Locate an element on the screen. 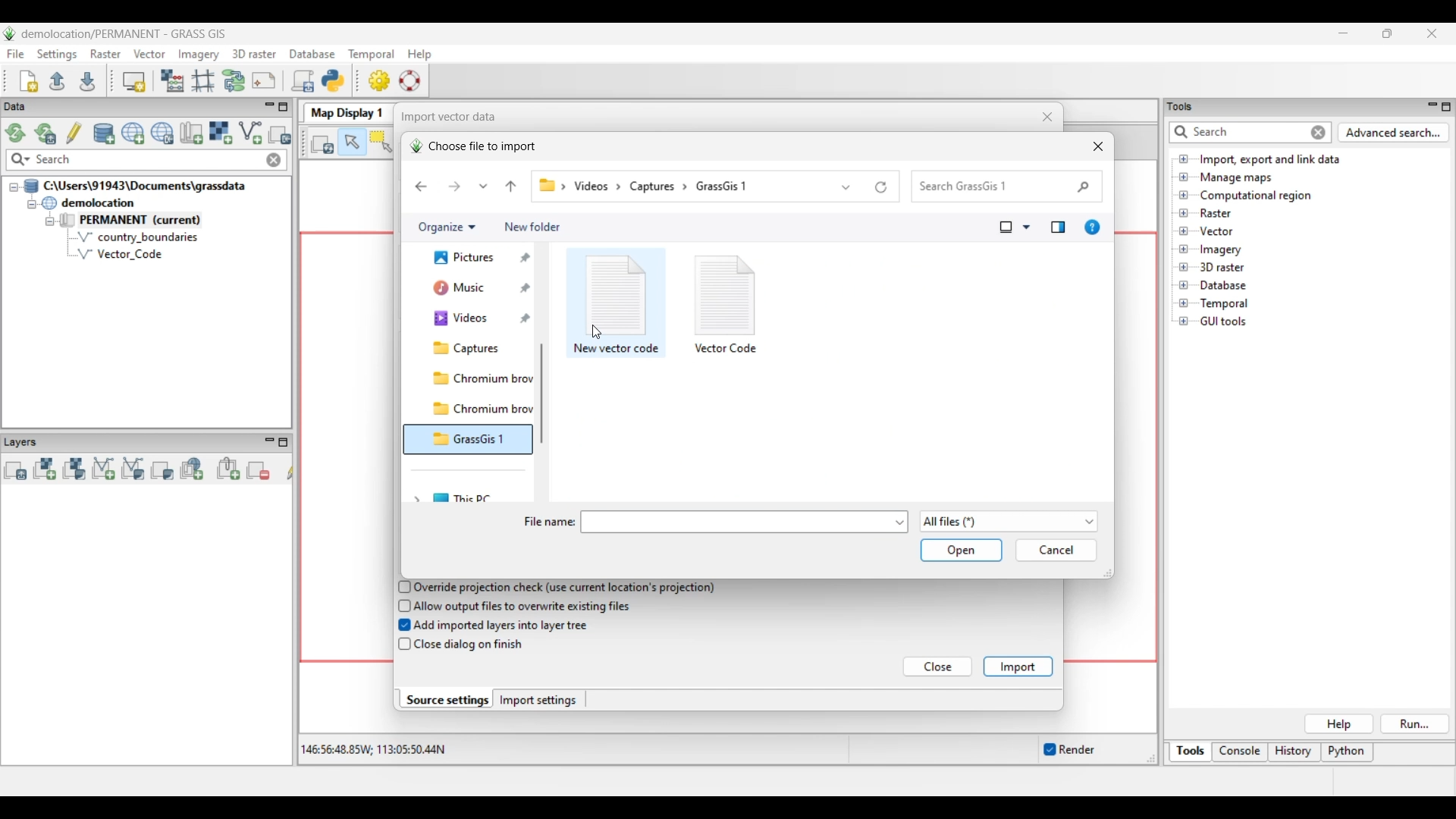 This screenshot has height=819, width=1456. Collapse file thread  is located at coordinates (14, 187).